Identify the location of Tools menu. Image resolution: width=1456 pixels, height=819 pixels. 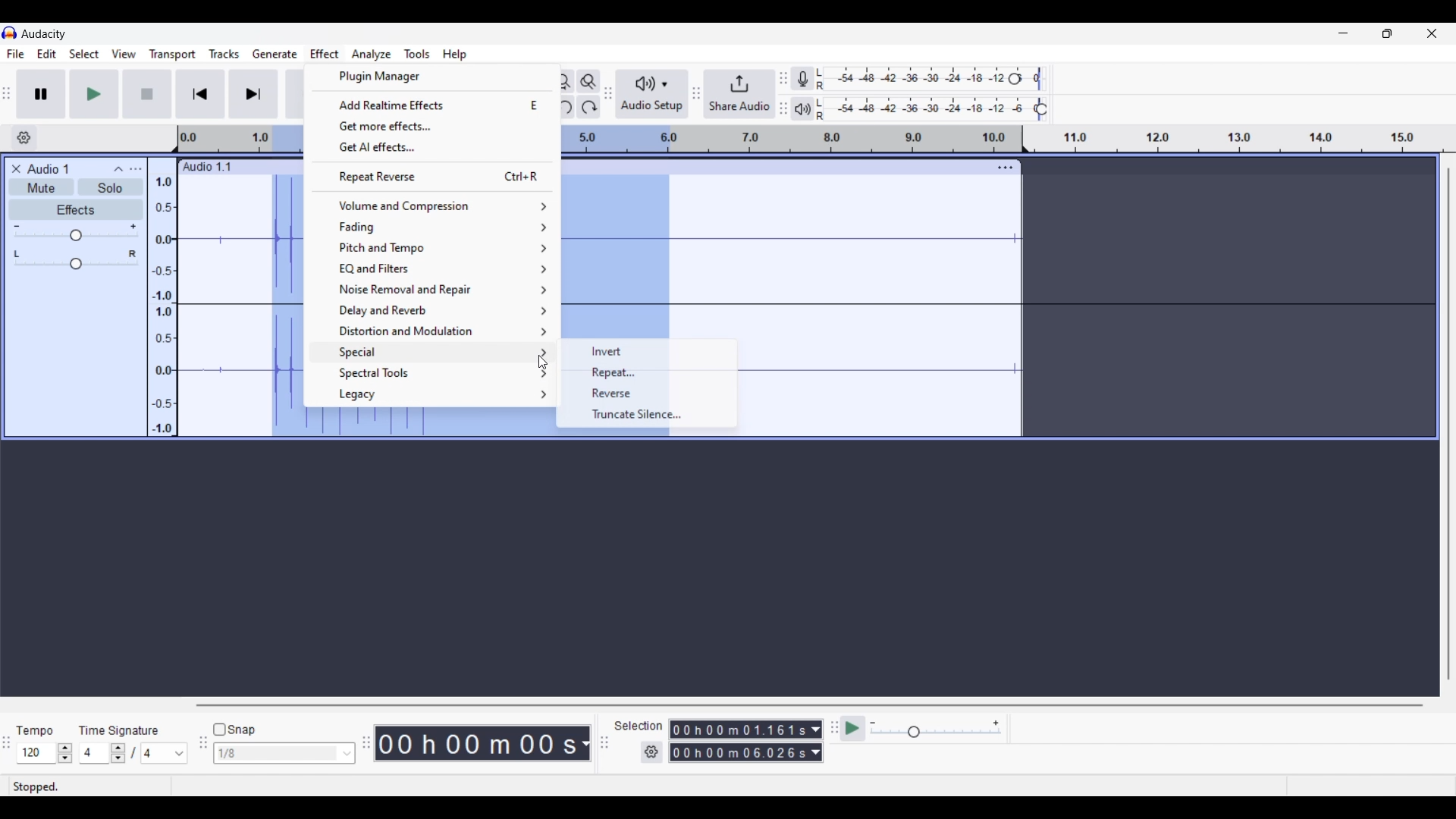
(417, 54).